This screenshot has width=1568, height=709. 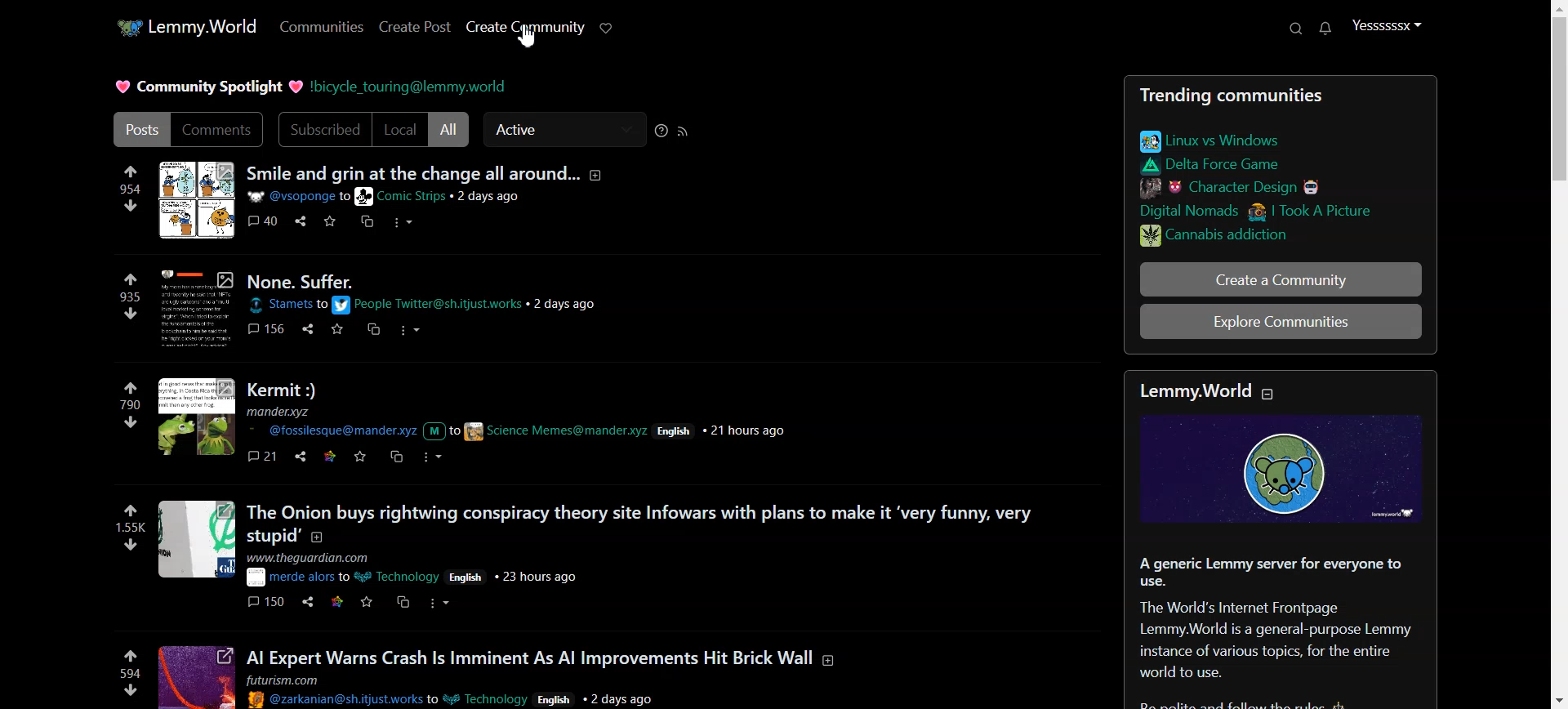 What do you see at coordinates (130, 690) in the screenshot?
I see `downvote` at bounding box center [130, 690].